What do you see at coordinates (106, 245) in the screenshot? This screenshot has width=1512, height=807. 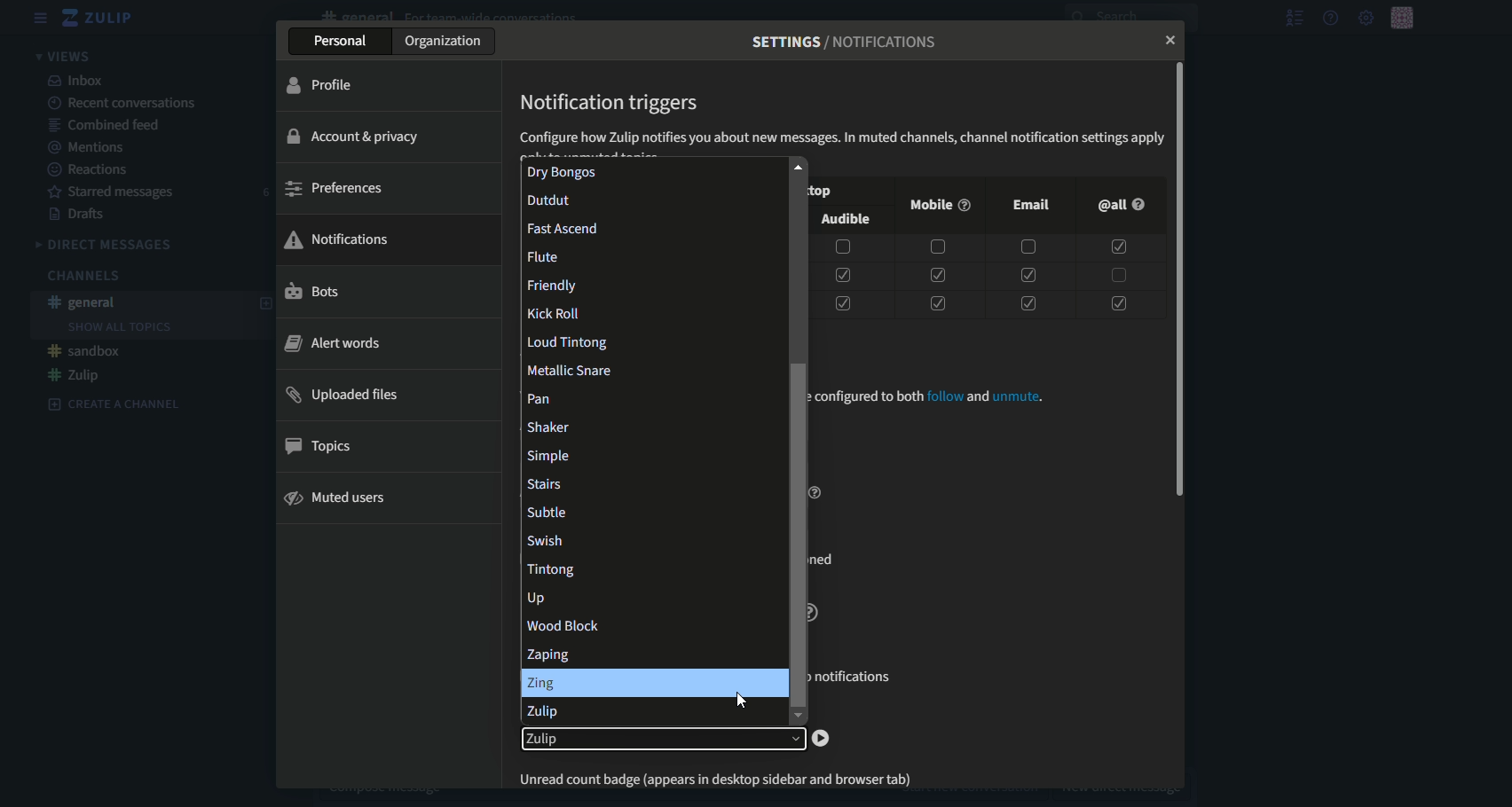 I see `Direct messages` at bounding box center [106, 245].